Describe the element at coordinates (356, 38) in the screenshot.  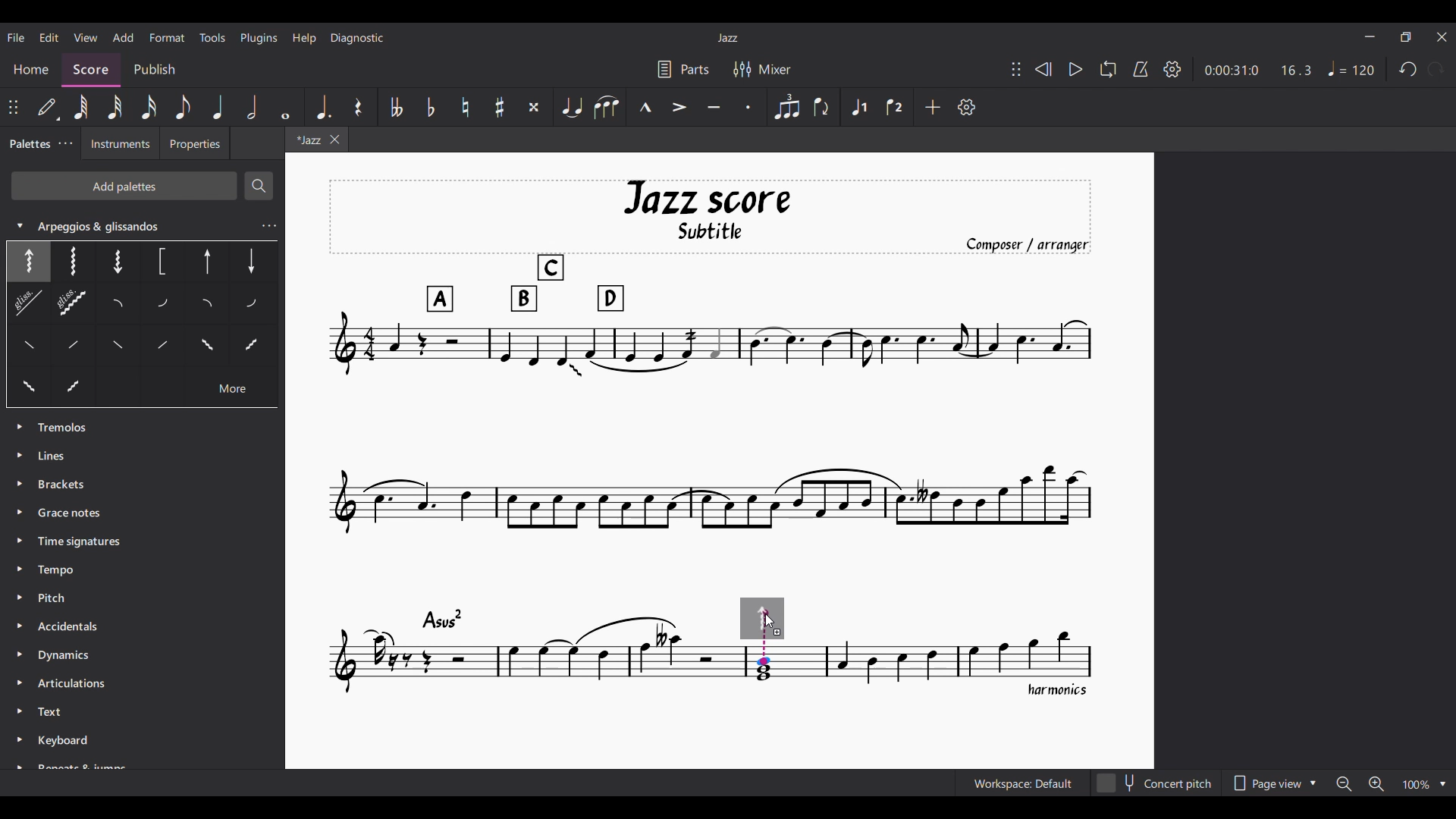
I see `Diagnostic menu` at that location.